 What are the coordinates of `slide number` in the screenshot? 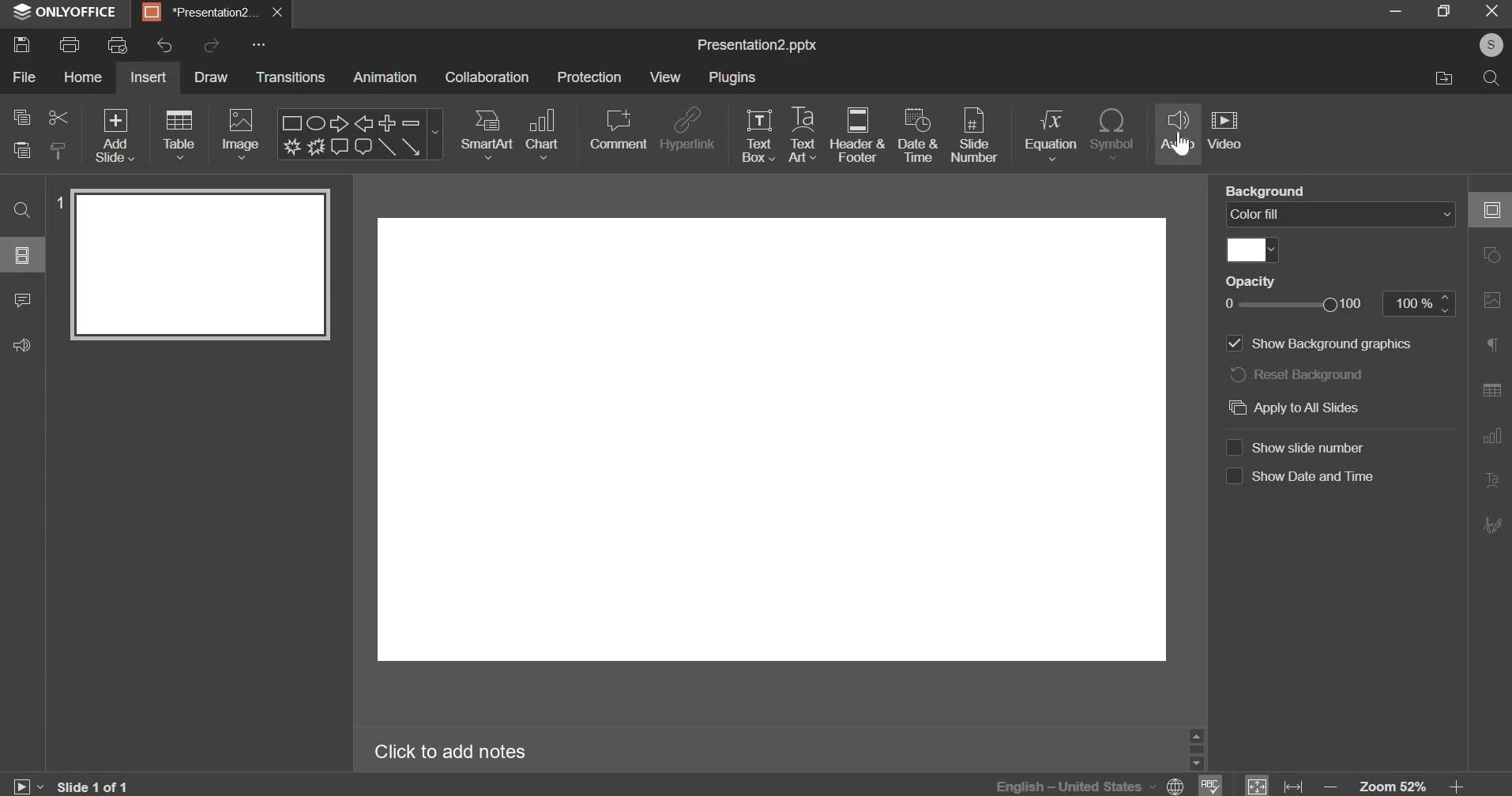 It's located at (58, 202).